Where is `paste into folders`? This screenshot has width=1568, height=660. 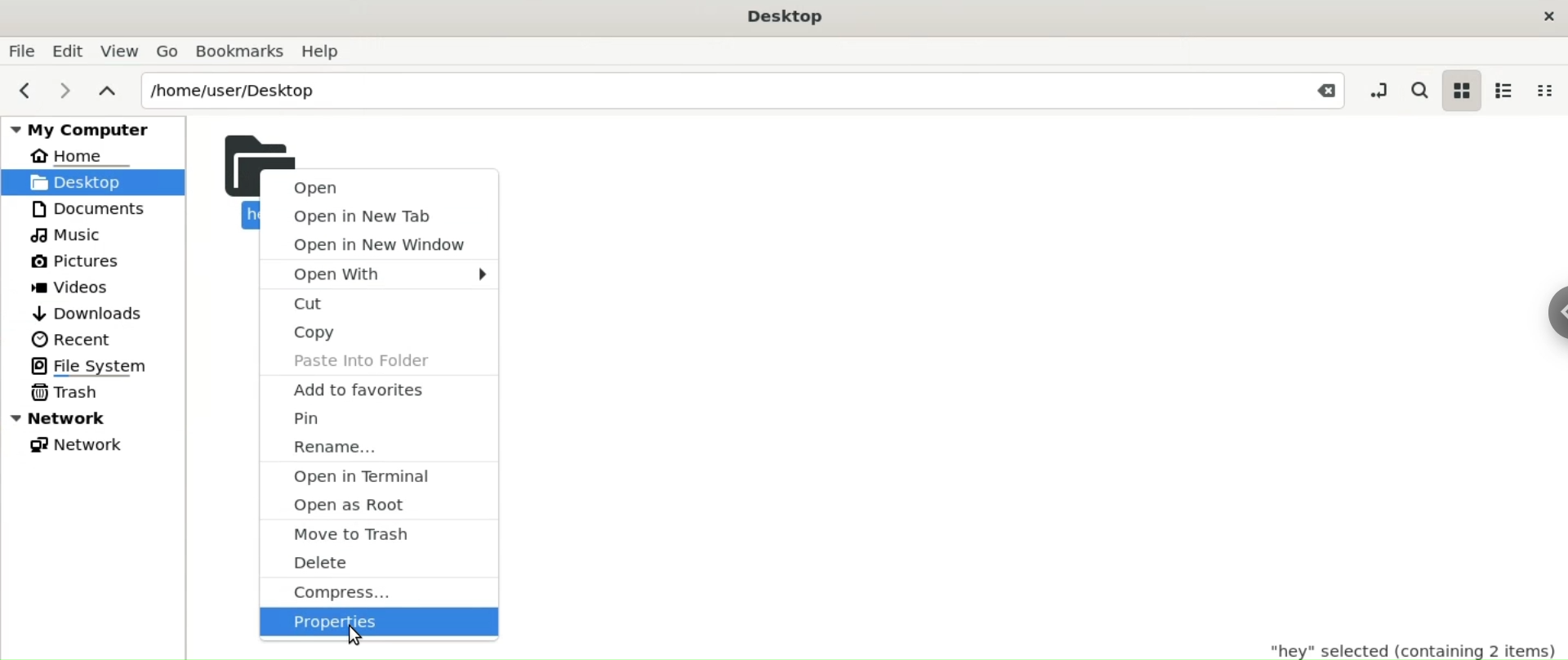
paste into folders is located at coordinates (381, 360).